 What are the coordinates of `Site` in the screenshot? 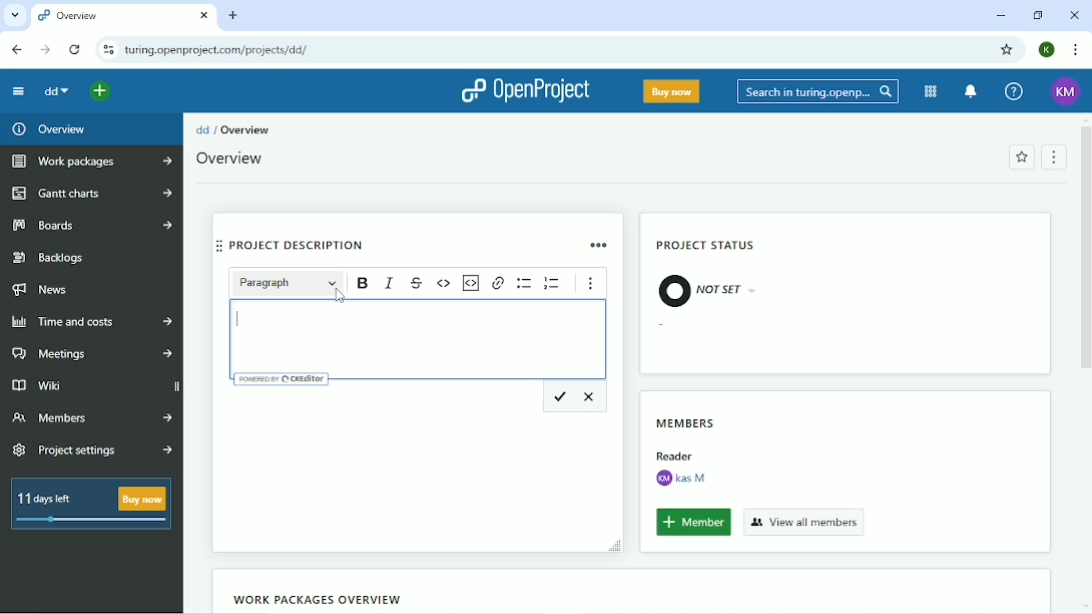 It's located at (219, 50).